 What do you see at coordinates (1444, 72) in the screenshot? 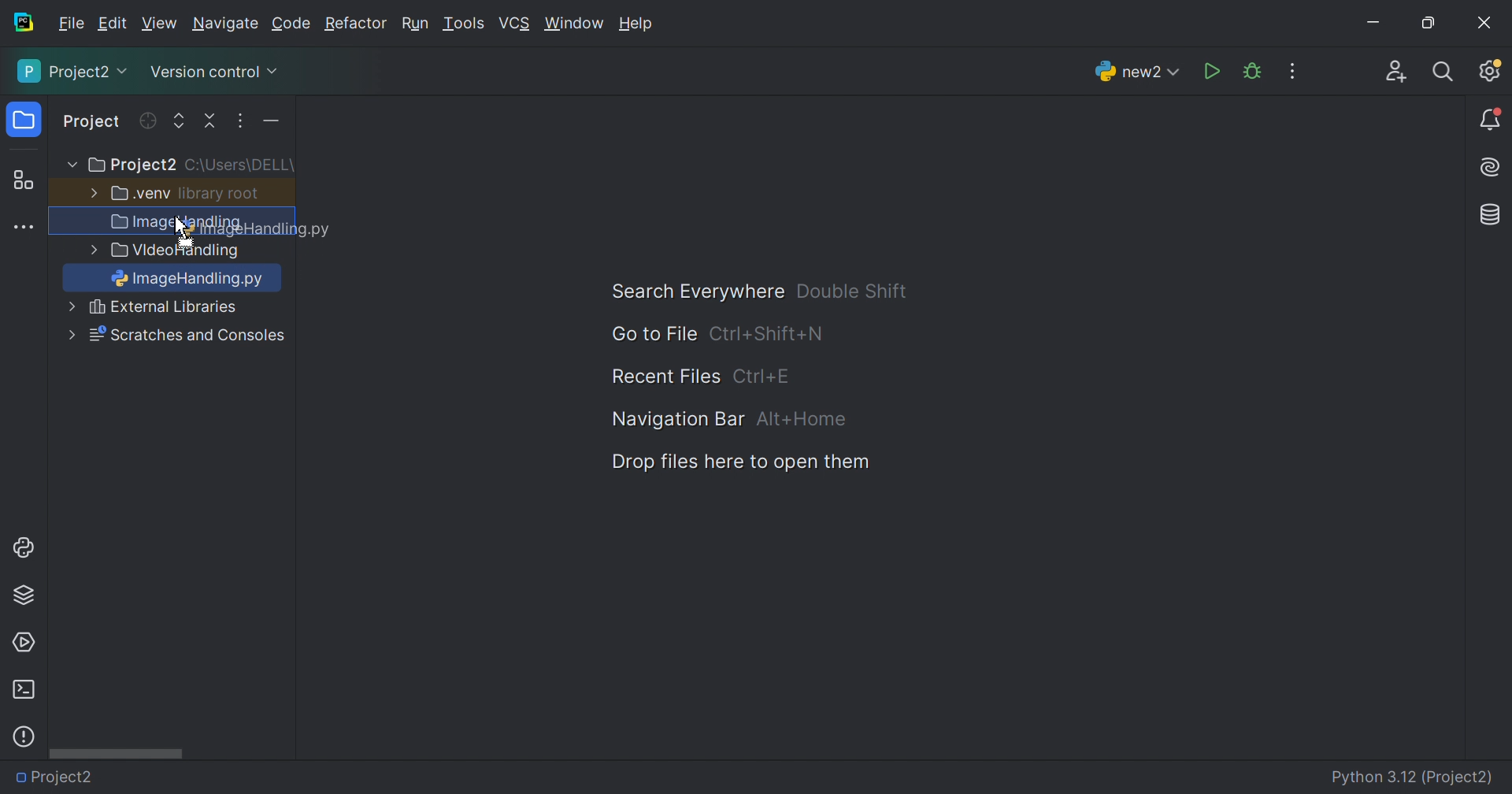
I see `Search everywhere` at bounding box center [1444, 72].